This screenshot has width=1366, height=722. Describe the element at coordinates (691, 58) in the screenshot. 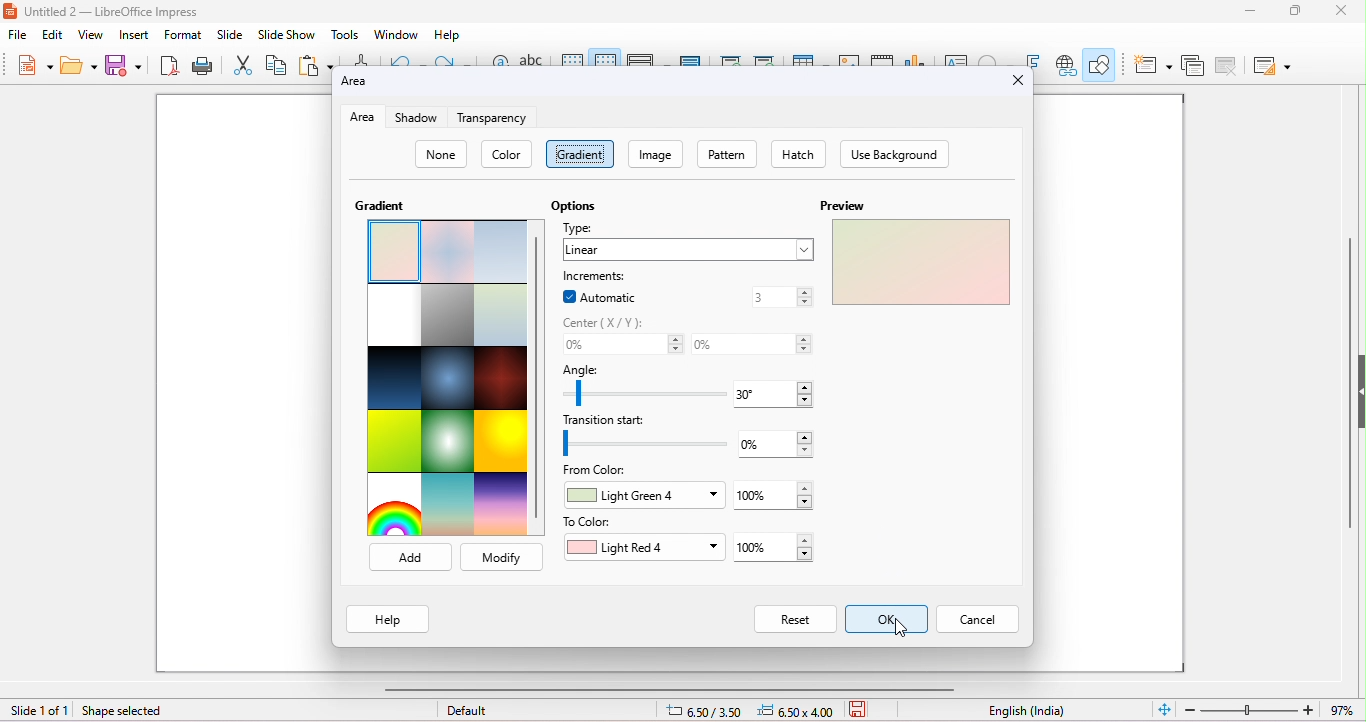

I see `master slide` at that location.